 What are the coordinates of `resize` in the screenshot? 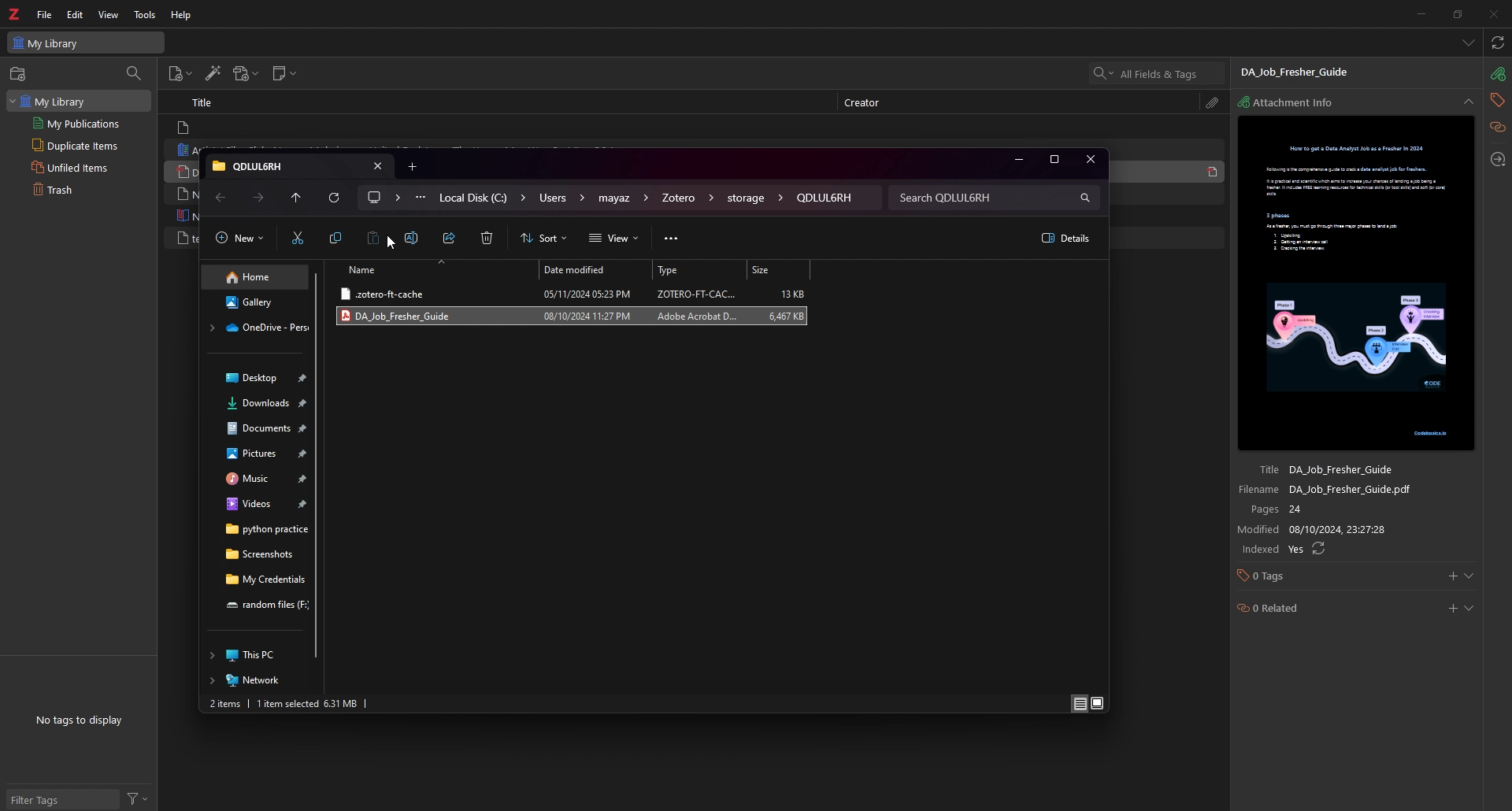 It's located at (1458, 13).